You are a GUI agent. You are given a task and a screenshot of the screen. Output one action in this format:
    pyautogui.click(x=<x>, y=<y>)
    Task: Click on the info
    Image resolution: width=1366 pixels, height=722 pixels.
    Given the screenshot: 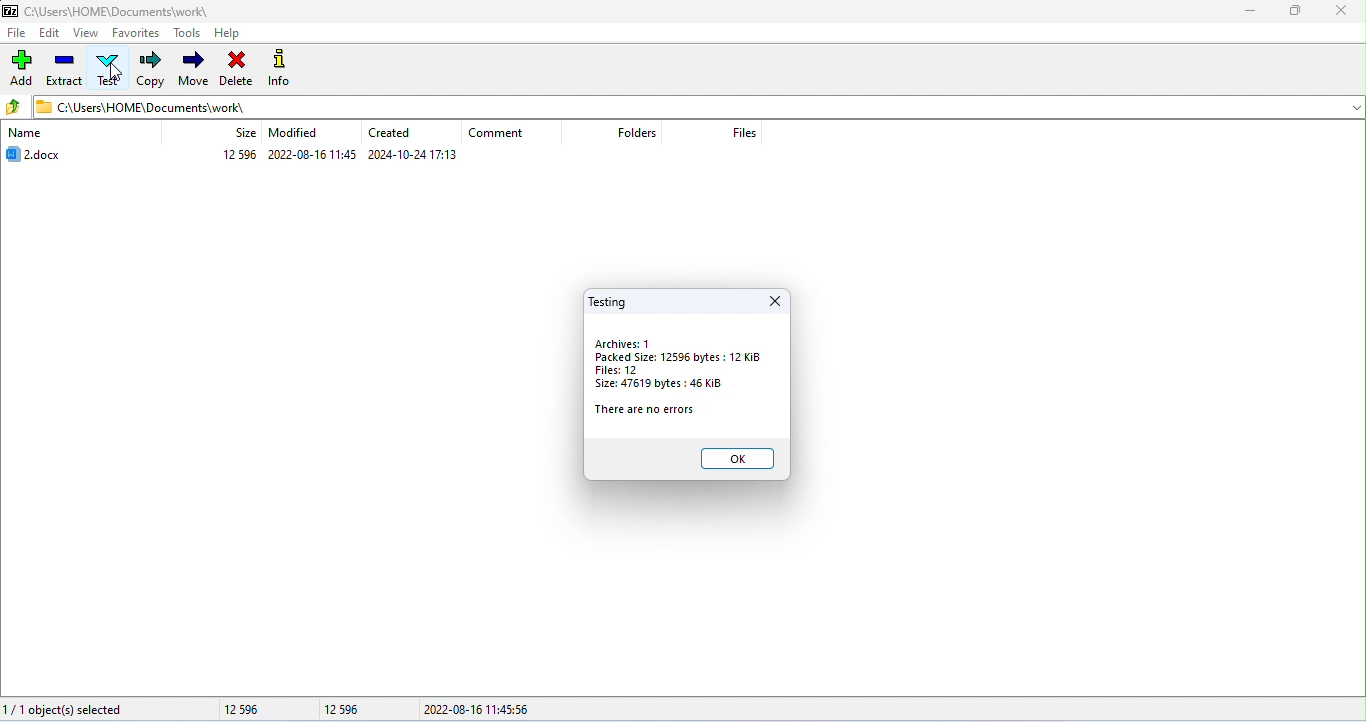 What is the action you would take?
    pyautogui.click(x=281, y=68)
    